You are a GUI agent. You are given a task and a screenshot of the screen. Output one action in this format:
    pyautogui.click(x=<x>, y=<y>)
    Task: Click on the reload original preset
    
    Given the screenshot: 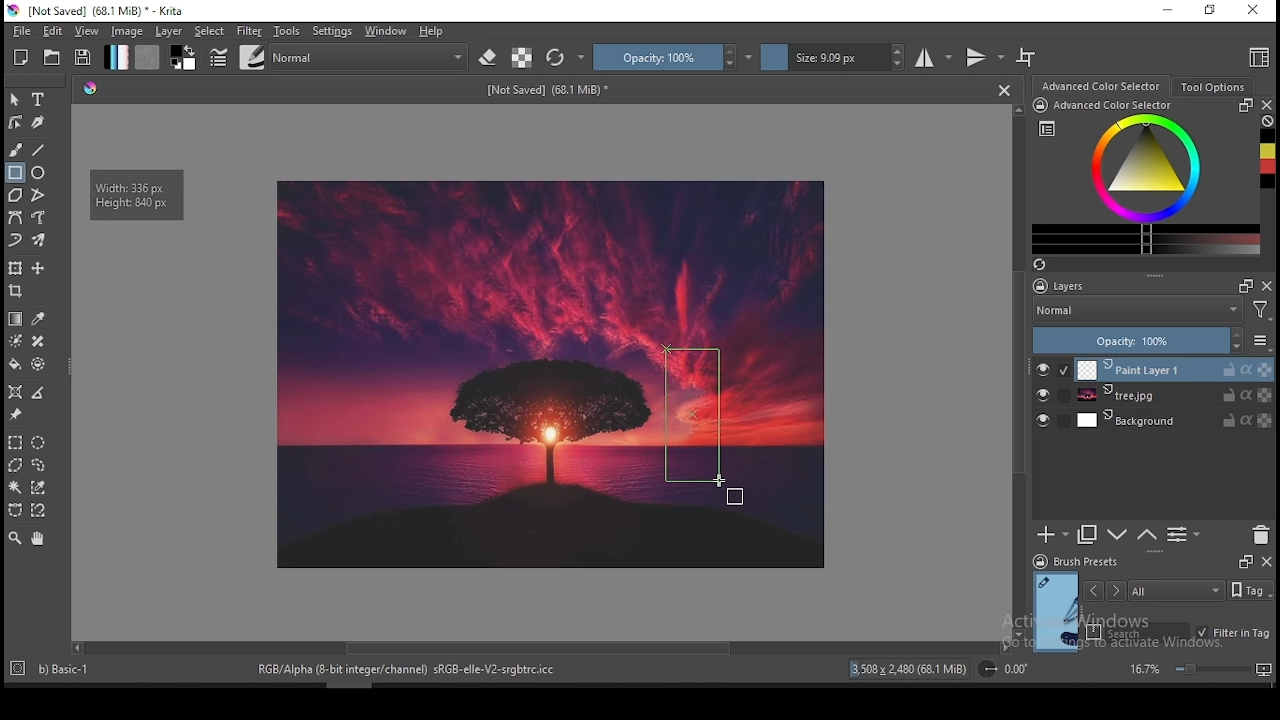 What is the action you would take?
    pyautogui.click(x=566, y=58)
    